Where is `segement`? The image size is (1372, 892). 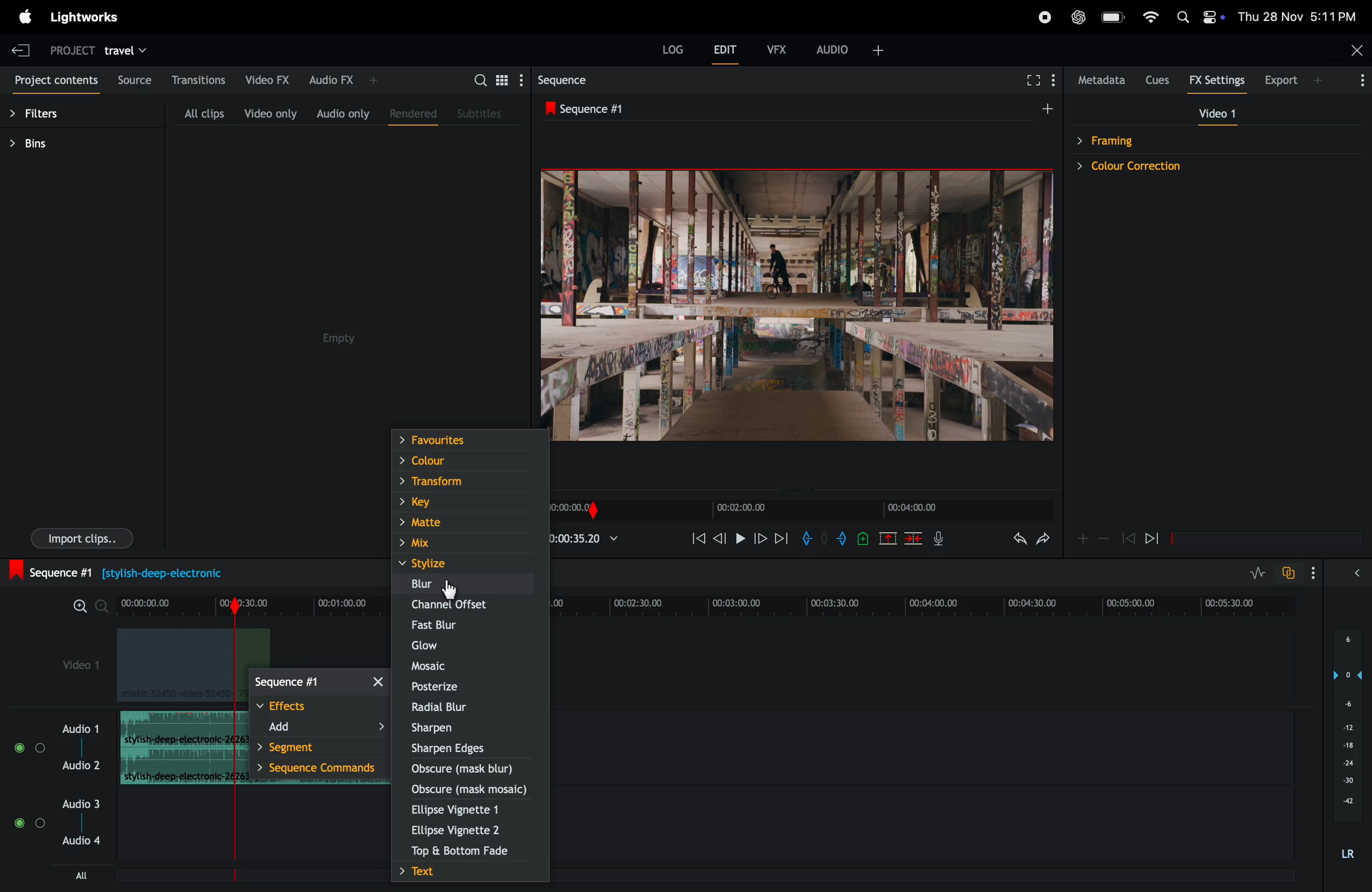 segement is located at coordinates (325, 749).